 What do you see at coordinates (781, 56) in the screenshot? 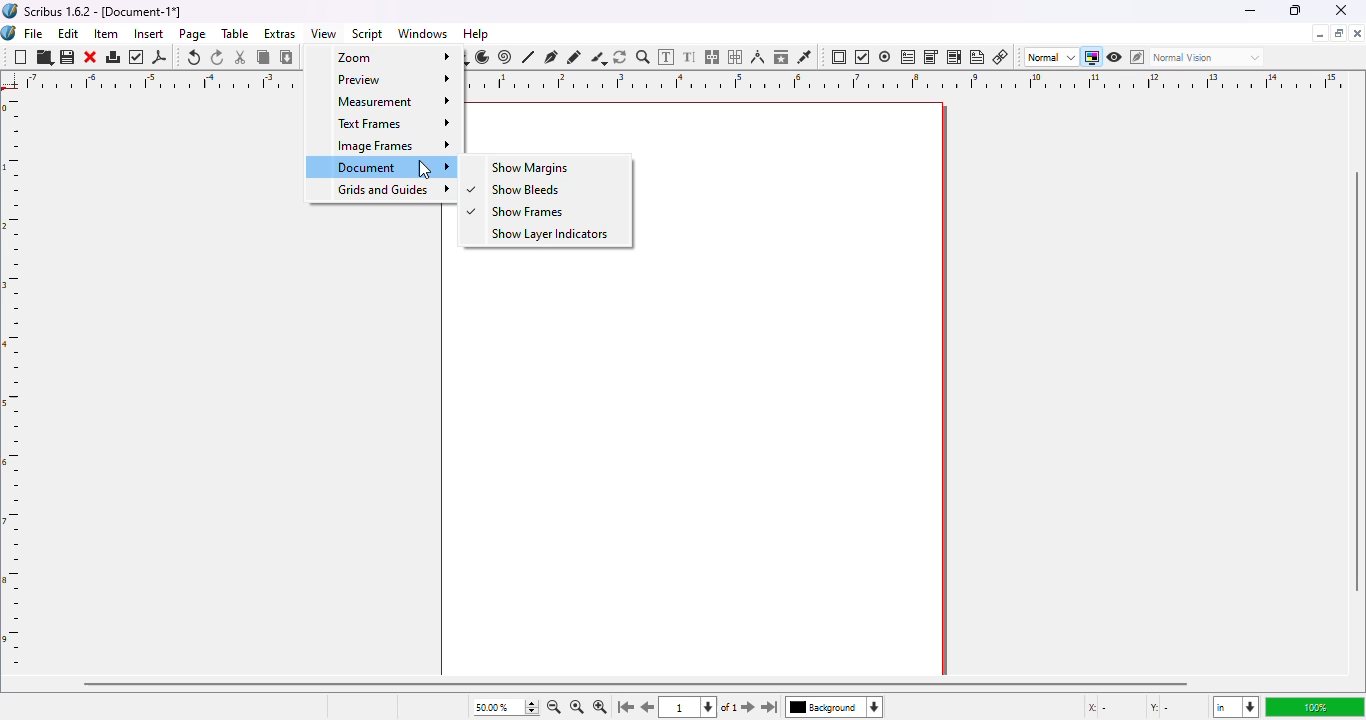
I see `copy item properties` at bounding box center [781, 56].